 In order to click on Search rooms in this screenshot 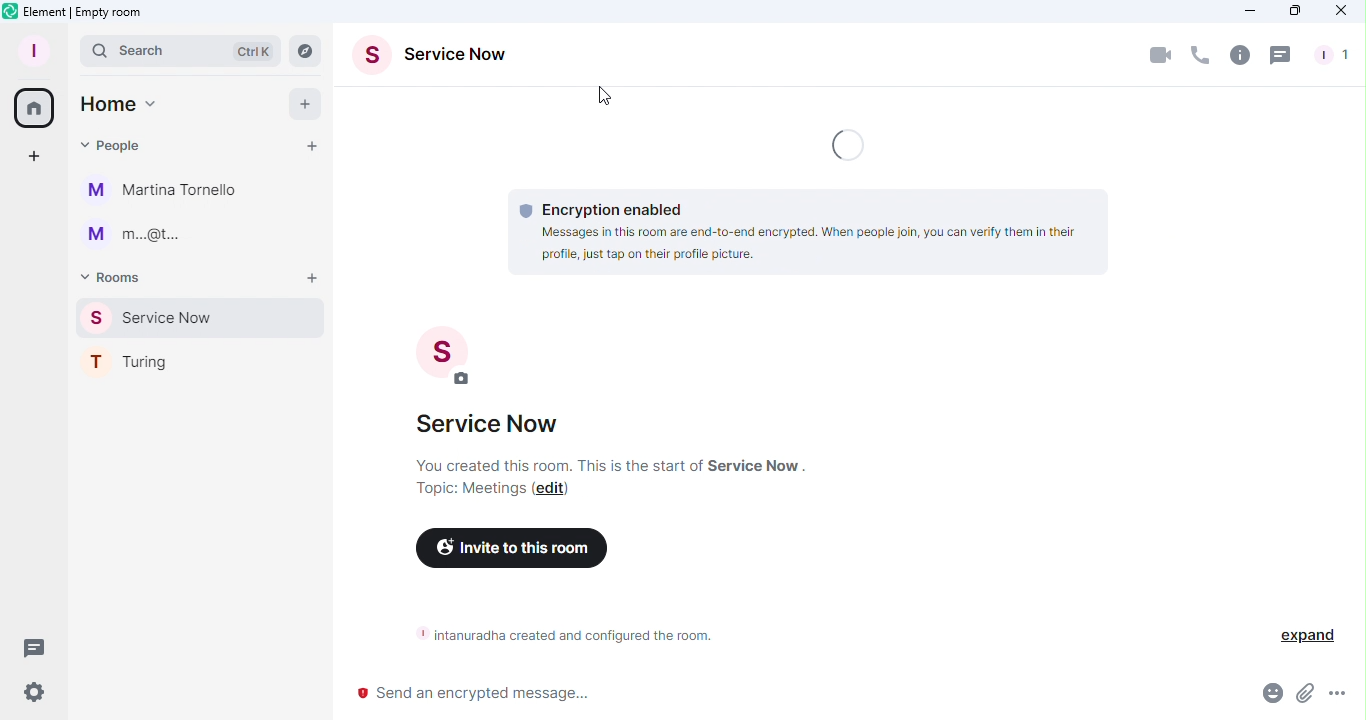, I will do `click(310, 51)`.